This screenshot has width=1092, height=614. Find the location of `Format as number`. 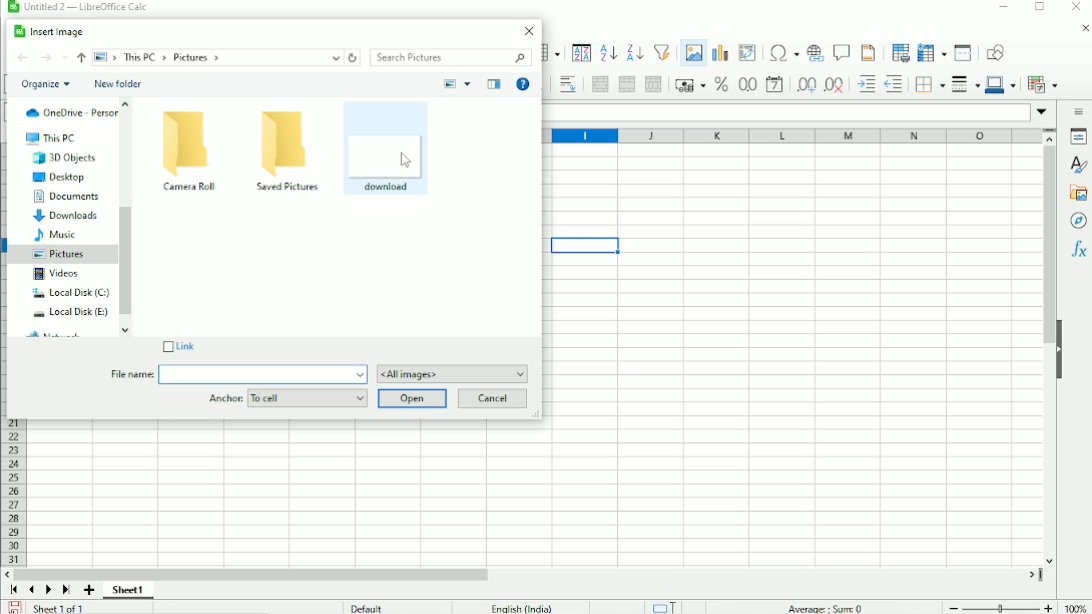

Format as number is located at coordinates (745, 85).